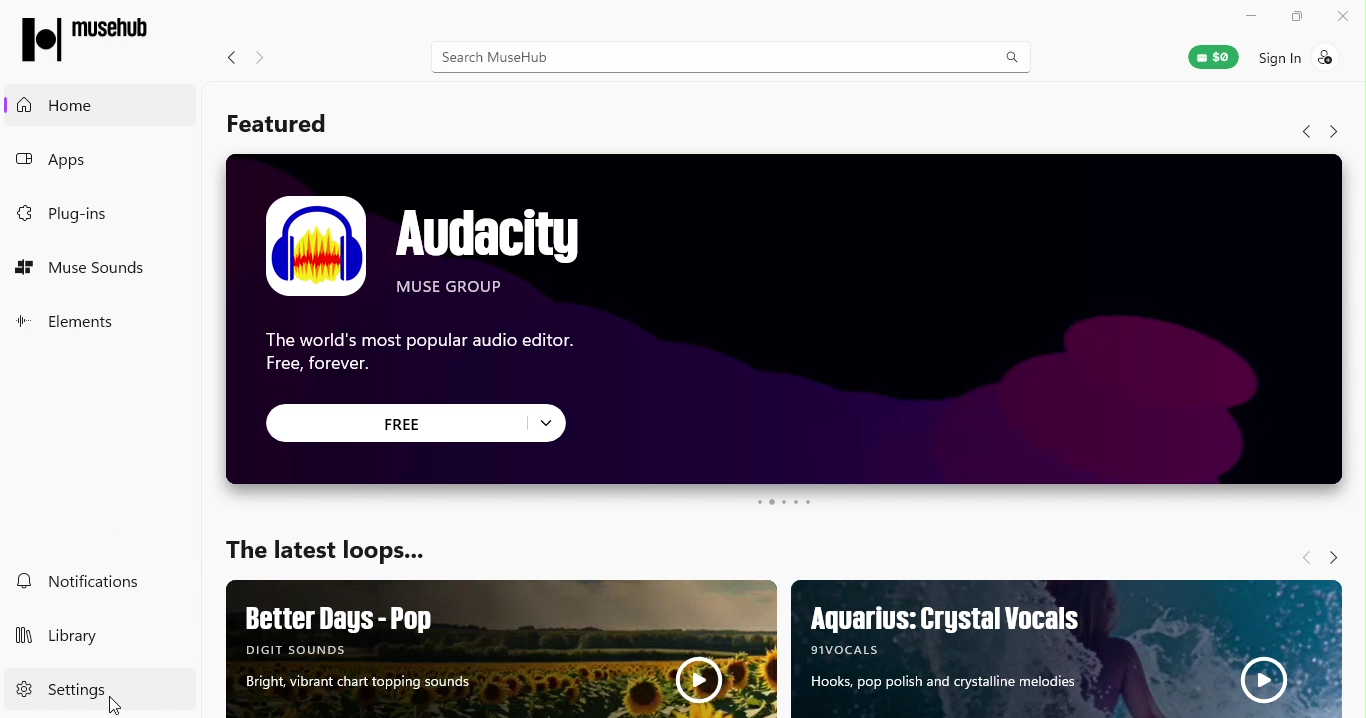 The width and height of the screenshot is (1366, 718). What do you see at coordinates (287, 123) in the screenshot?
I see `Featured` at bounding box center [287, 123].